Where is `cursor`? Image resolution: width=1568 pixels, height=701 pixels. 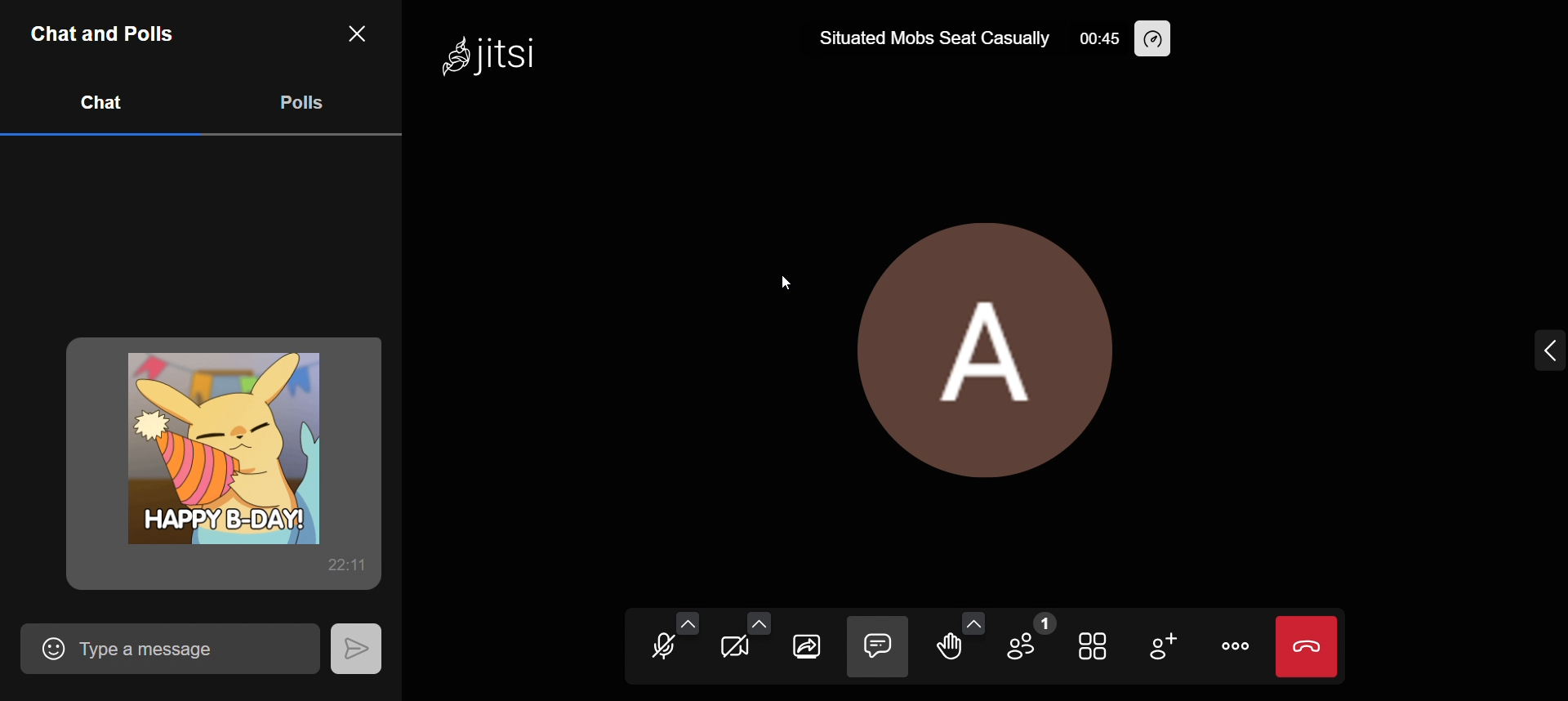
cursor is located at coordinates (778, 279).